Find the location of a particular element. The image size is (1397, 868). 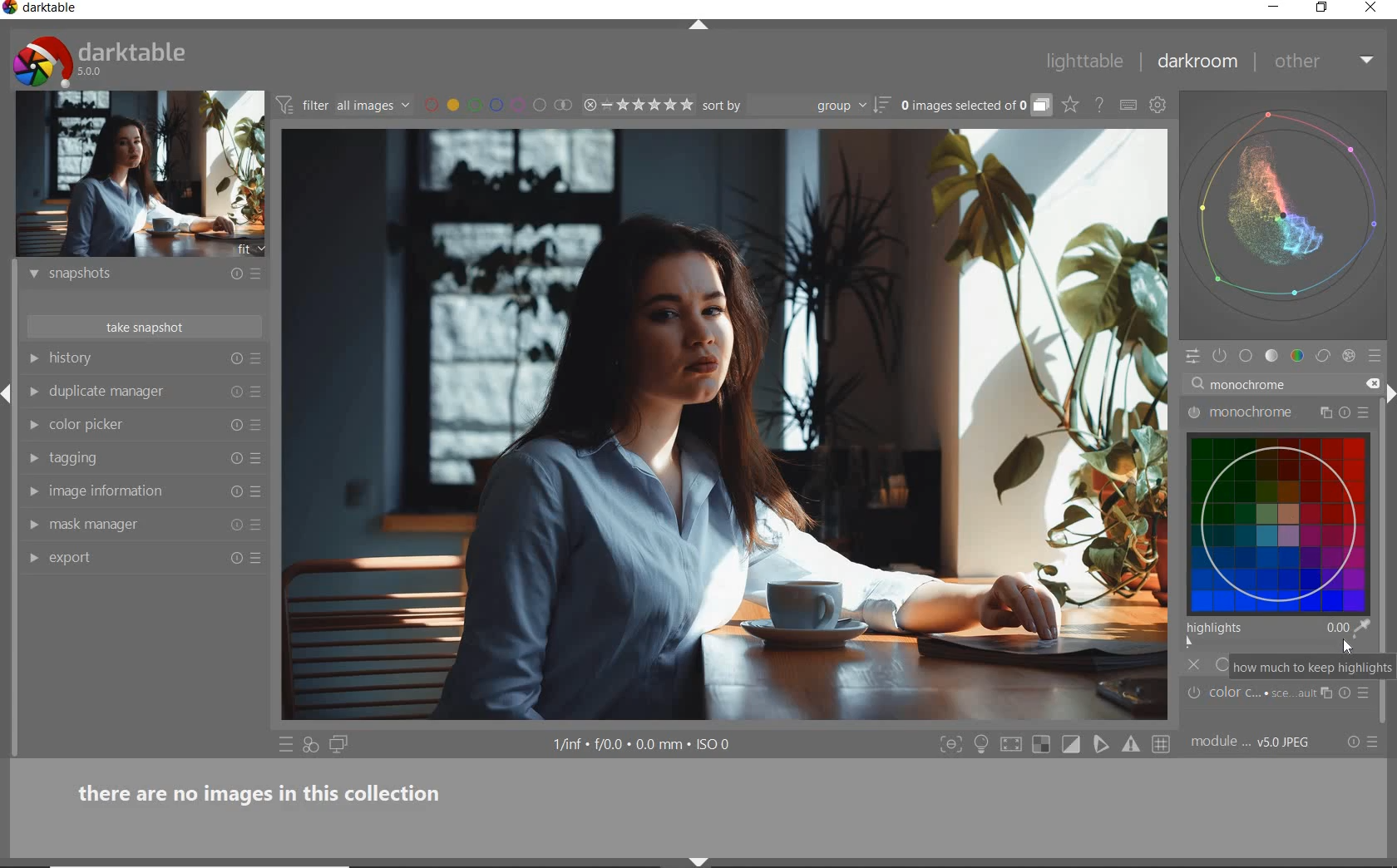

toggle clipping indication is located at coordinates (1073, 744).